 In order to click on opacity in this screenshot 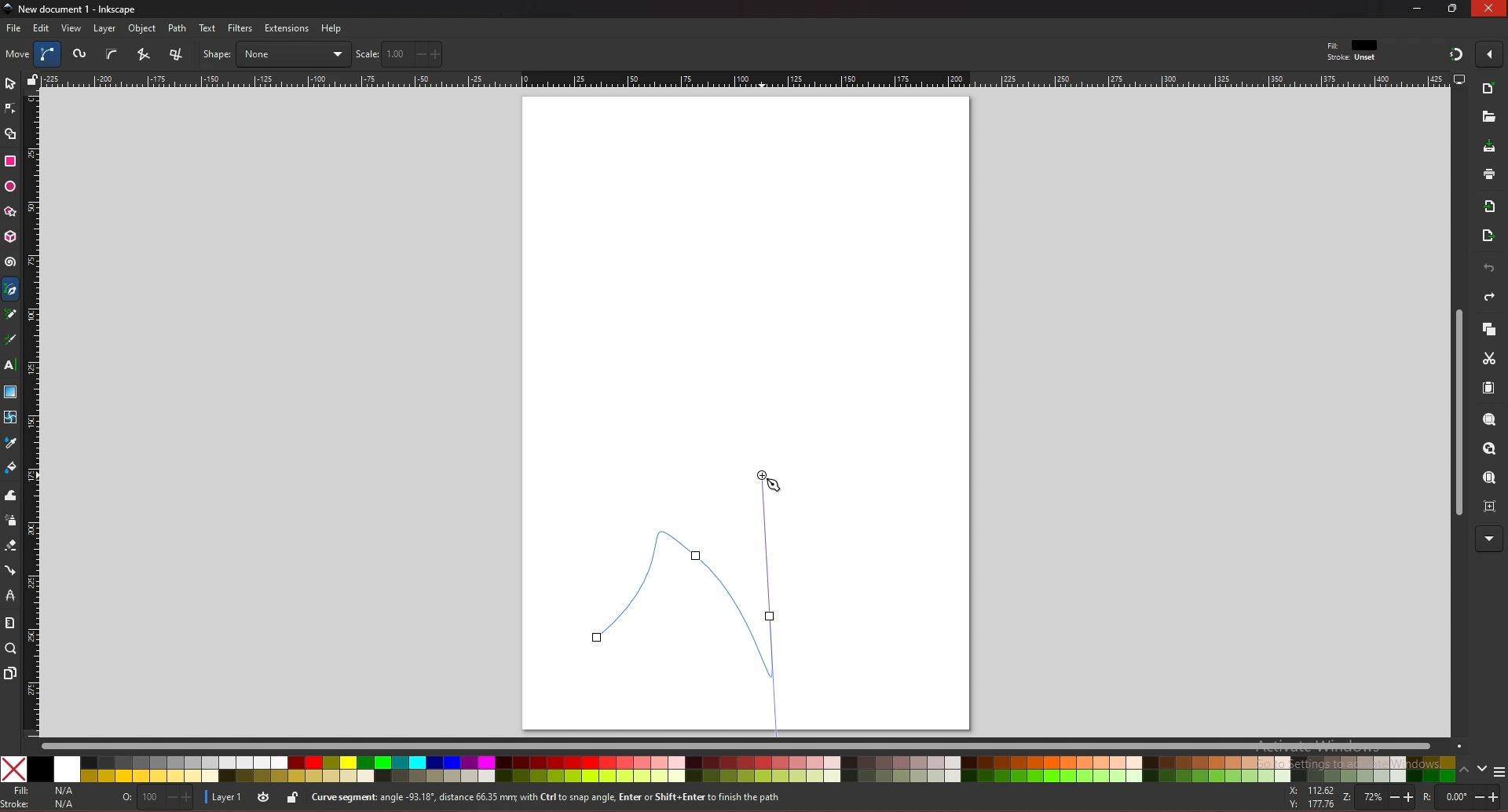, I will do `click(159, 799)`.